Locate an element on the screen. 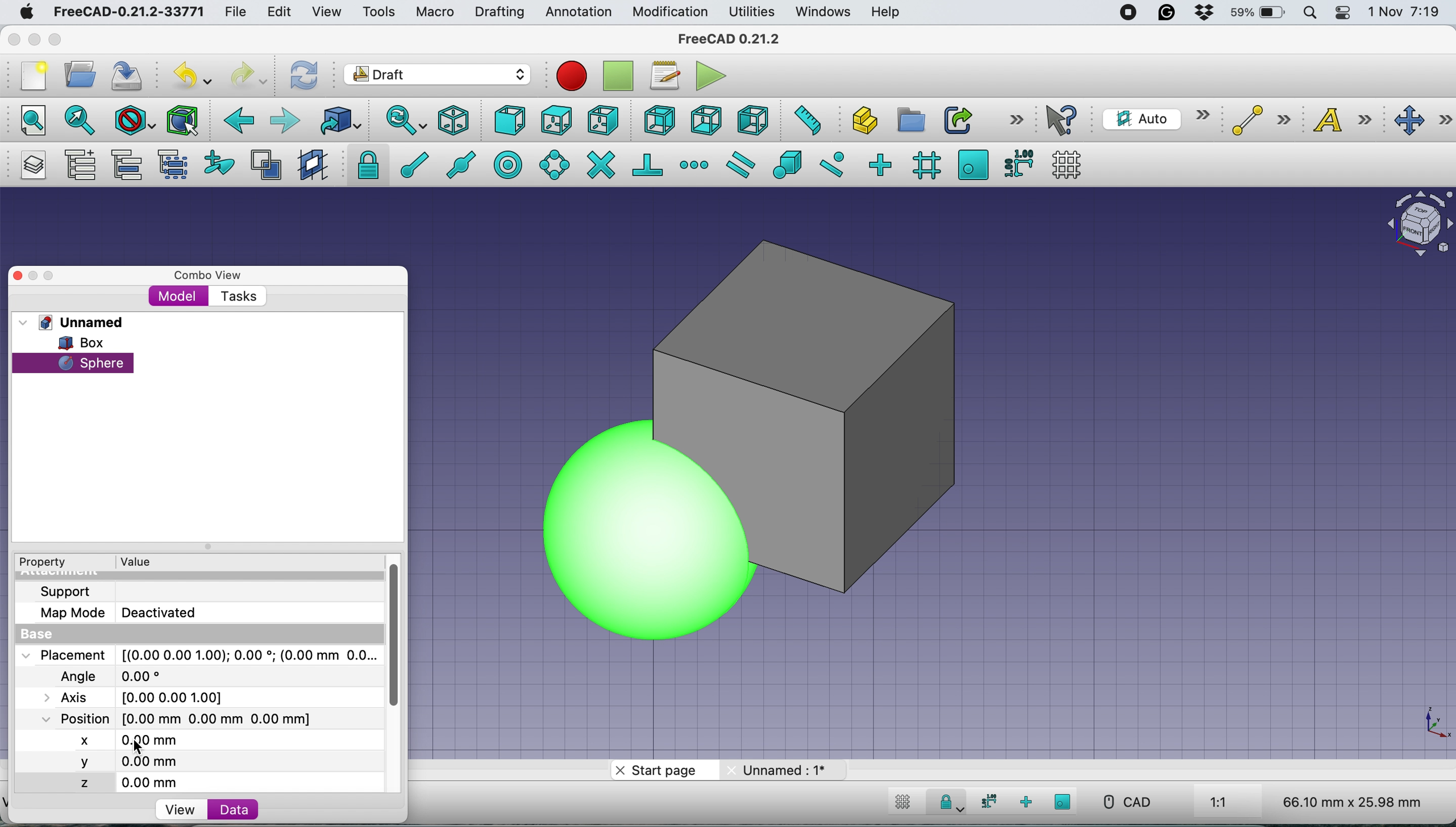 The width and height of the screenshot is (1456, 827). date and time is located at coordinates (1405, 12).